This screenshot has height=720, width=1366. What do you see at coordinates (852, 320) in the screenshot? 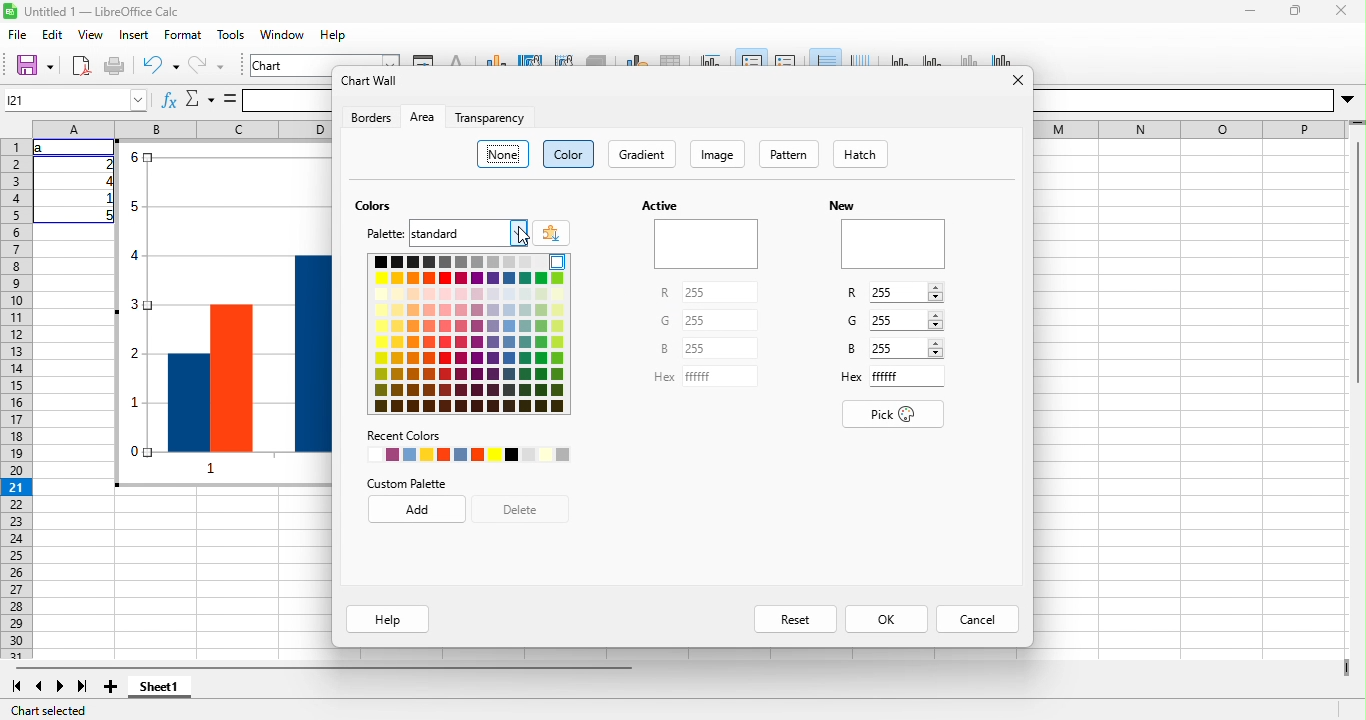
I see `G` at bounding box center [852, 320].